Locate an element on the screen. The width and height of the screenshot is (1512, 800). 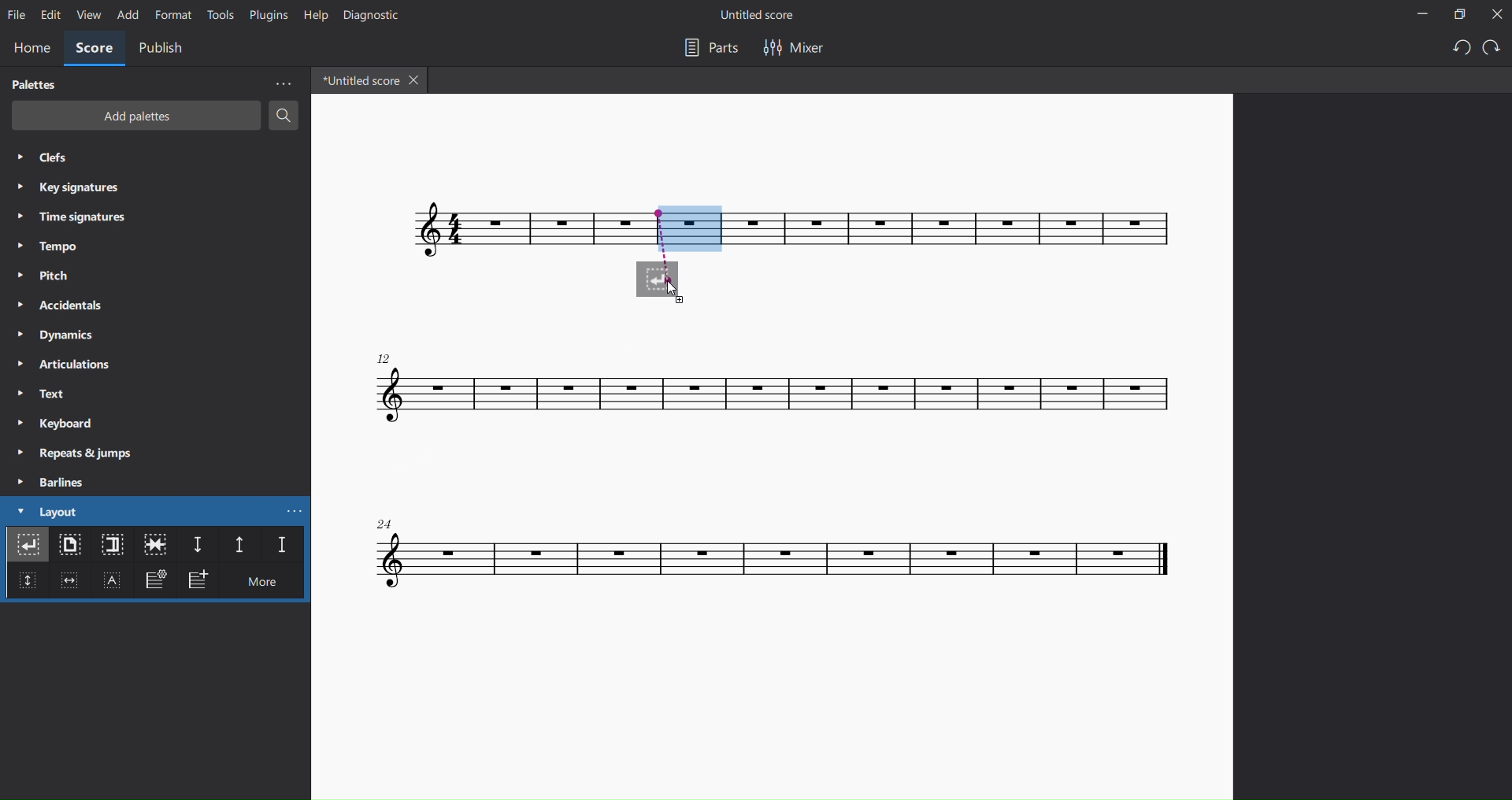
restore is located at coordinates (1456, 14).